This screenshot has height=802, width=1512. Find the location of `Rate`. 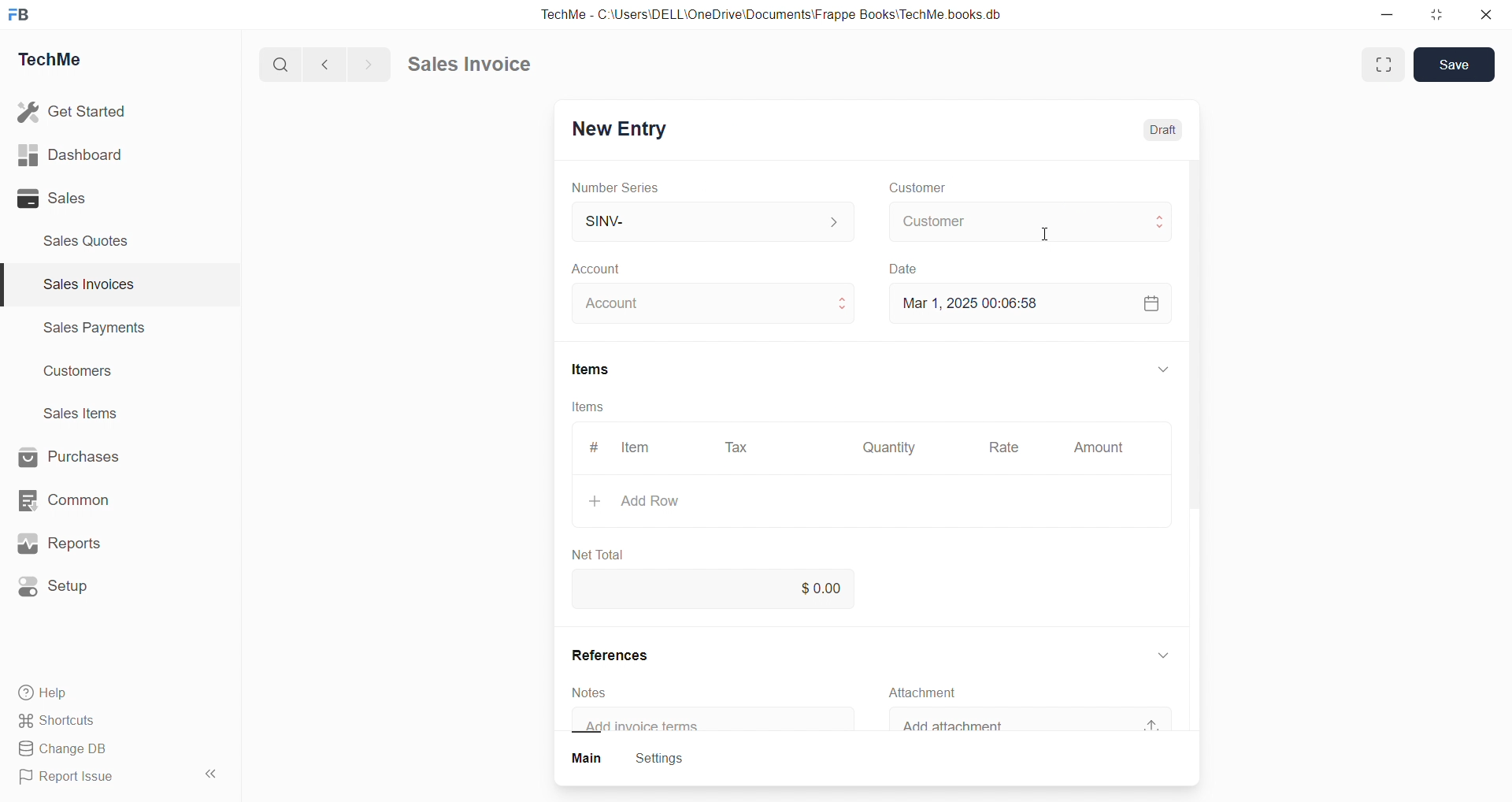

Rate is located at coordinates (1007, 449).